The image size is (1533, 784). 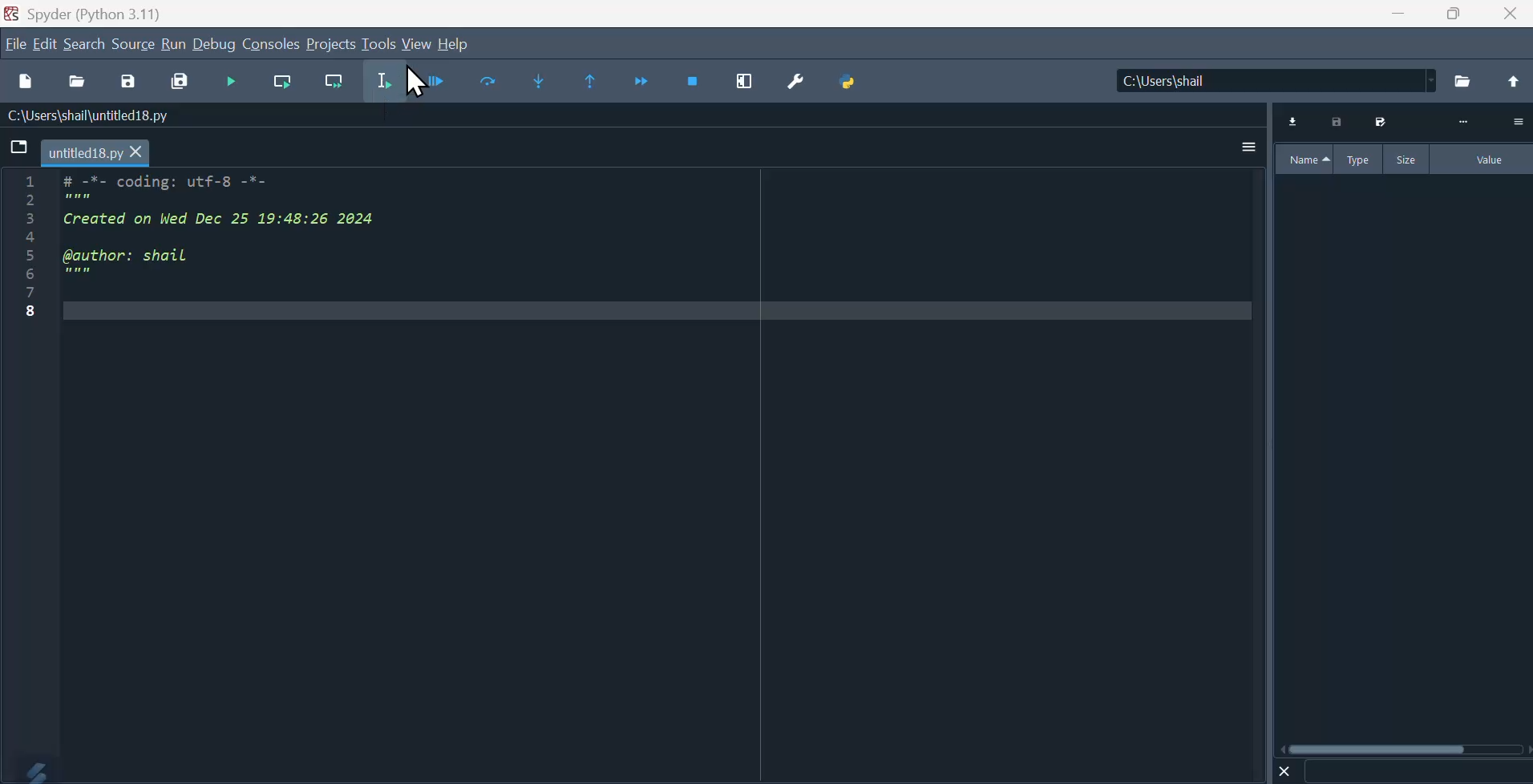 I want to click on Value, so click(x=1483, y=160).